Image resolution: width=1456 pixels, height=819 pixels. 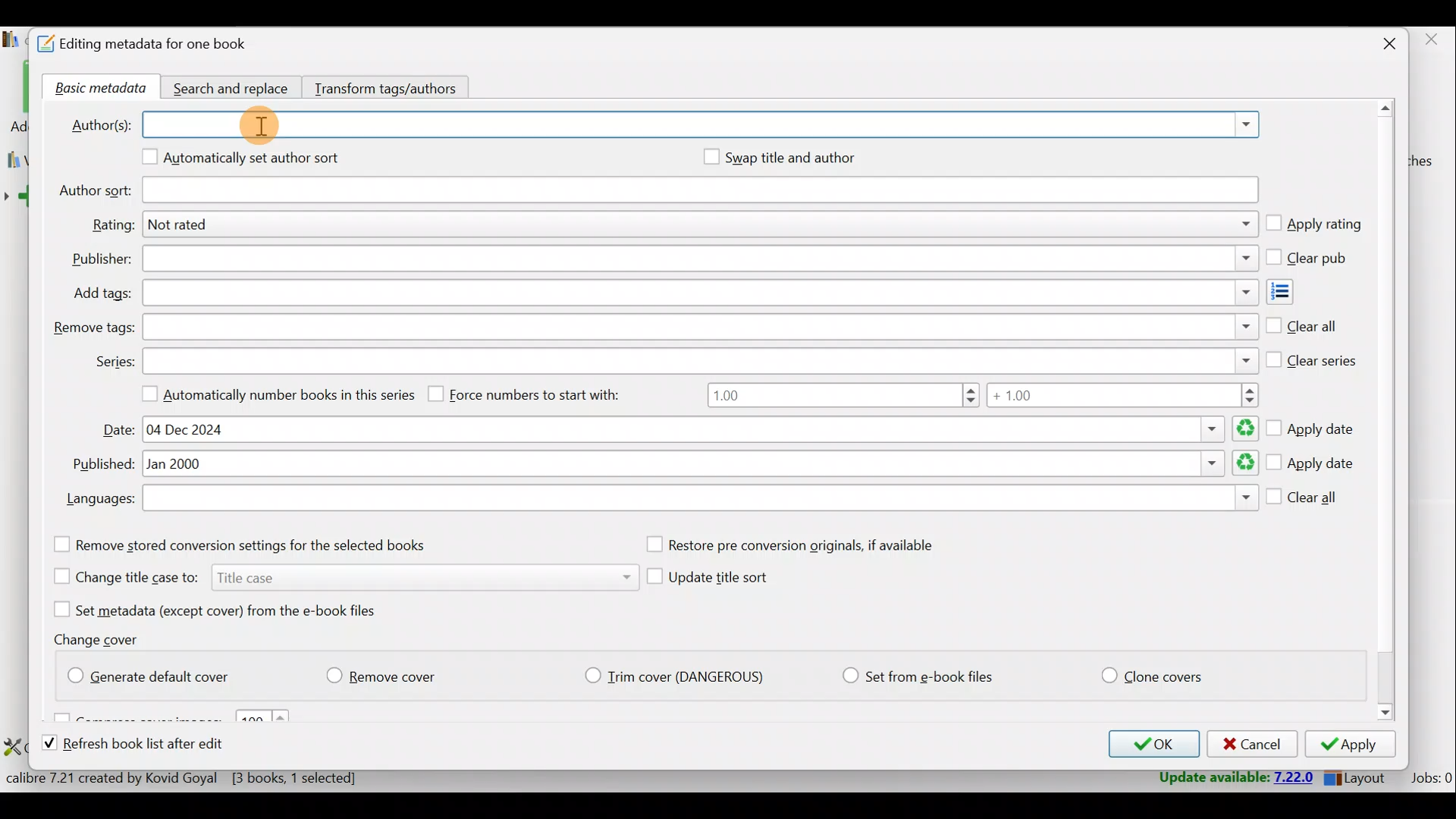 I want to click on Languages, so click(x=700, y=500).